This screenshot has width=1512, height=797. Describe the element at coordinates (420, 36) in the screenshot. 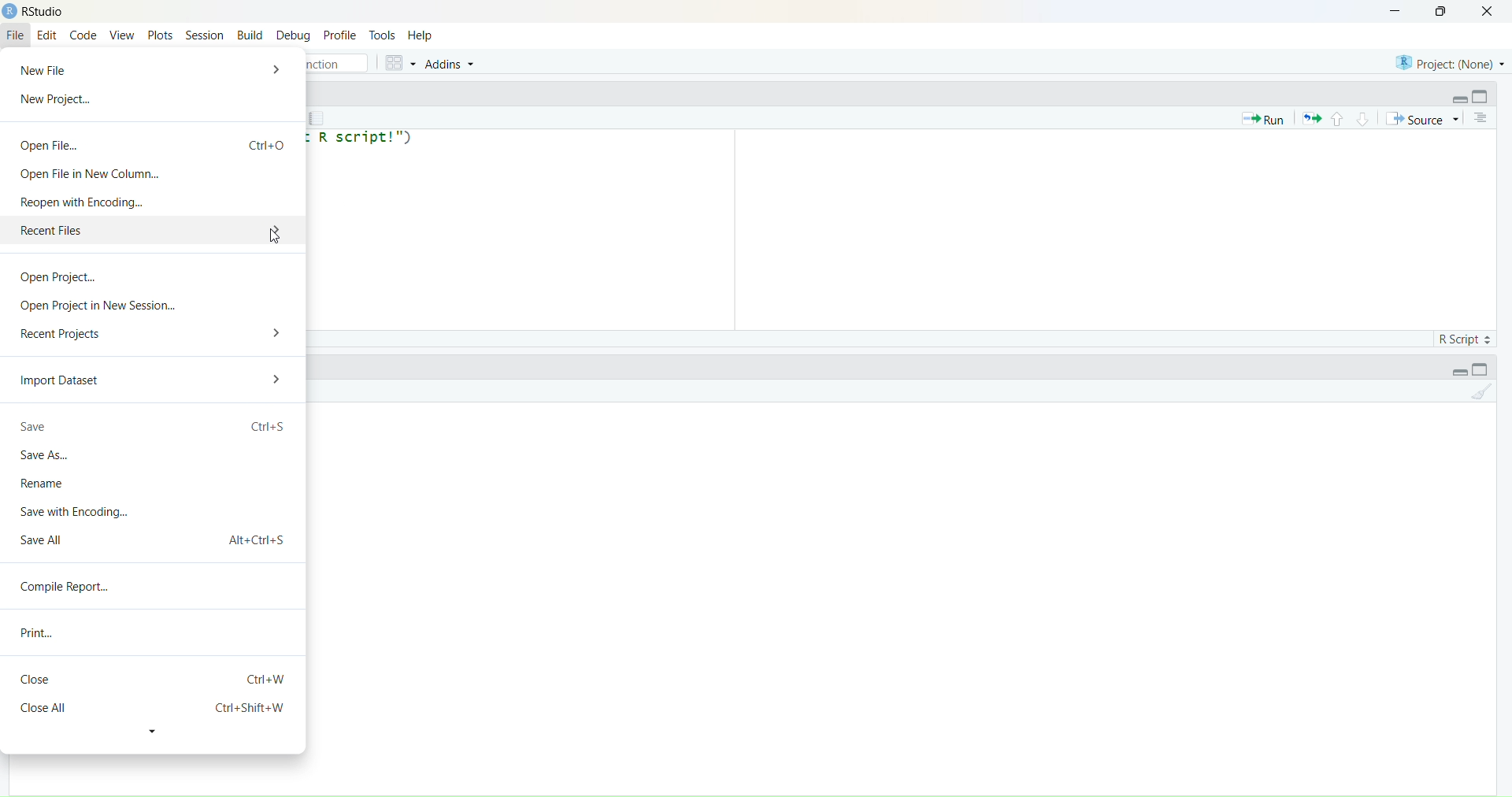

I see `Help` at that location.